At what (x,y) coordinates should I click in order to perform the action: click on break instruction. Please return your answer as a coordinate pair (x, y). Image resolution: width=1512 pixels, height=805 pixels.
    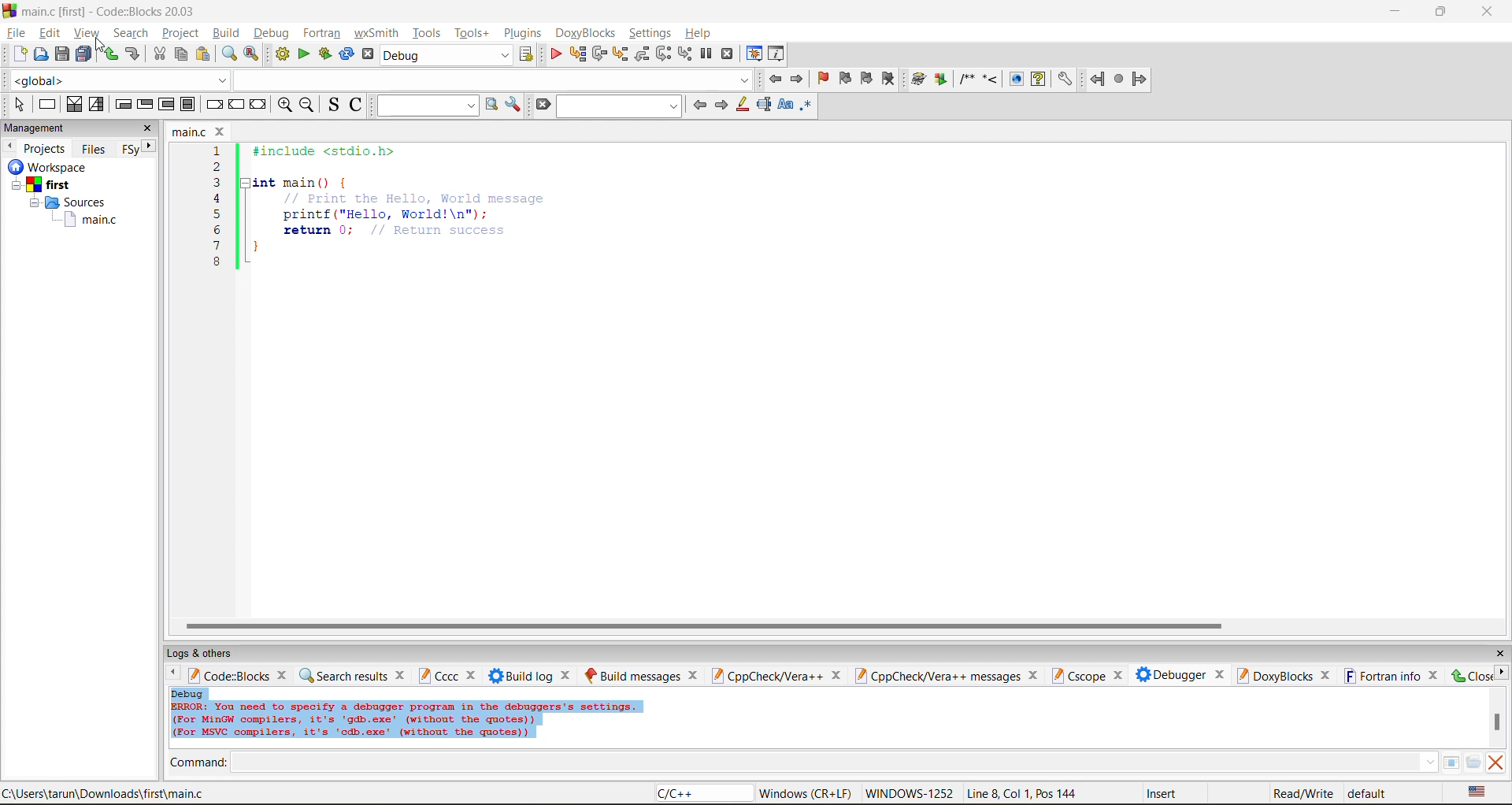
    Looking at the image, I should click on (216, 106).